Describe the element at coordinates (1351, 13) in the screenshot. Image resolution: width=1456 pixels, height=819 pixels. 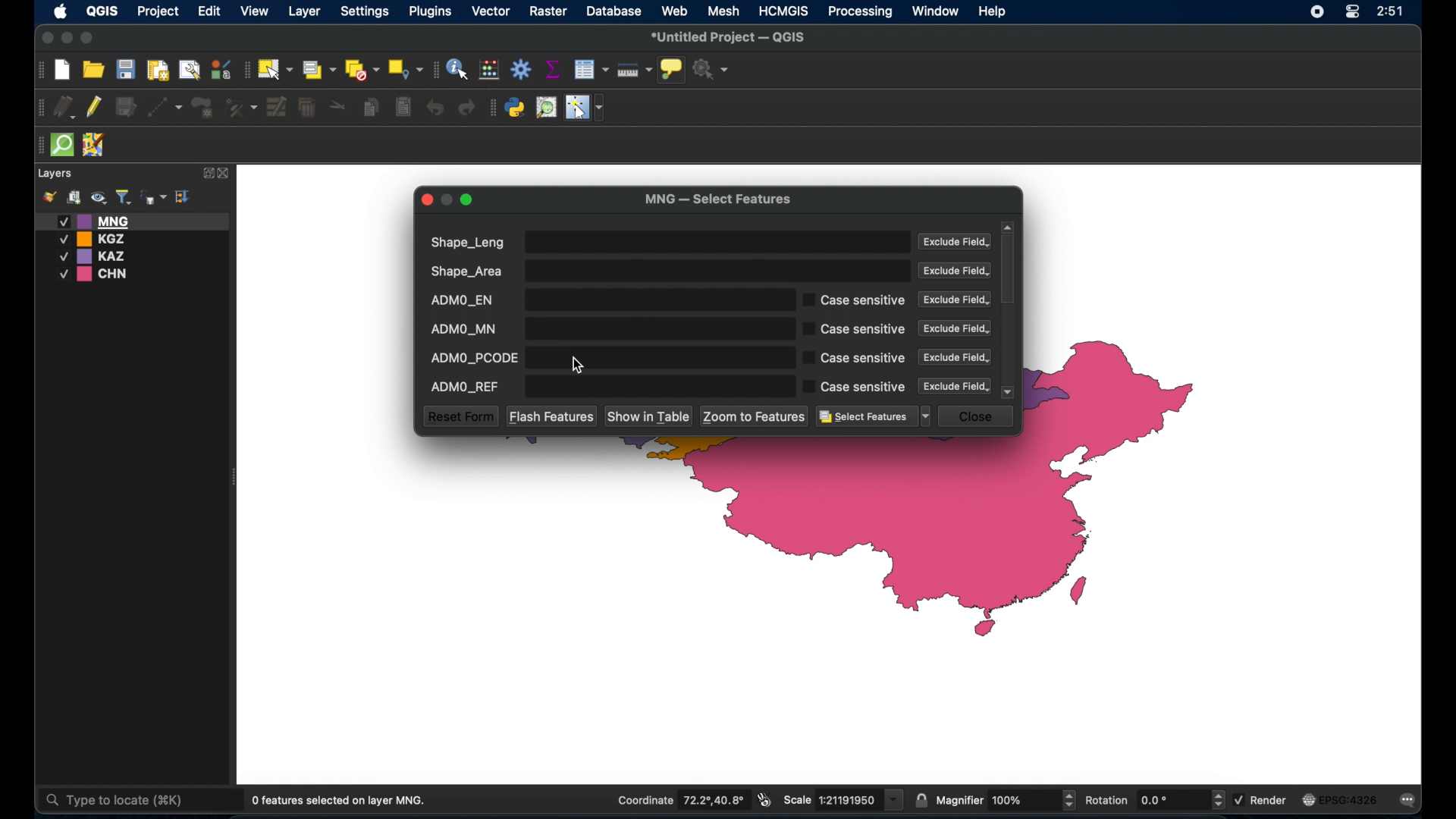
I see `control center` at that location.